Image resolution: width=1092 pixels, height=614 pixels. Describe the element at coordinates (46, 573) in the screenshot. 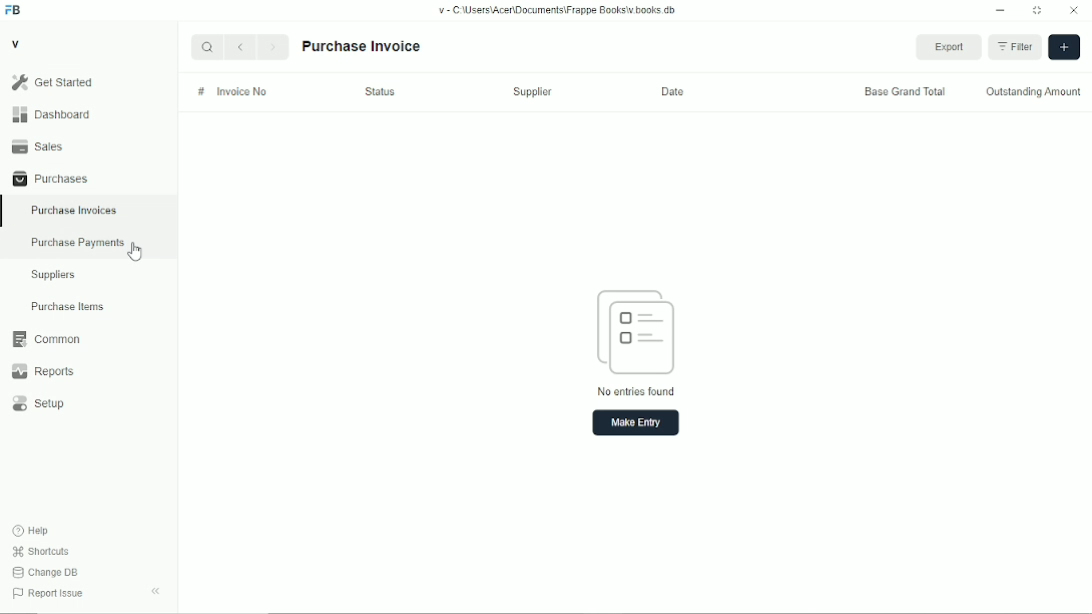

I see `Change DB` at that location.